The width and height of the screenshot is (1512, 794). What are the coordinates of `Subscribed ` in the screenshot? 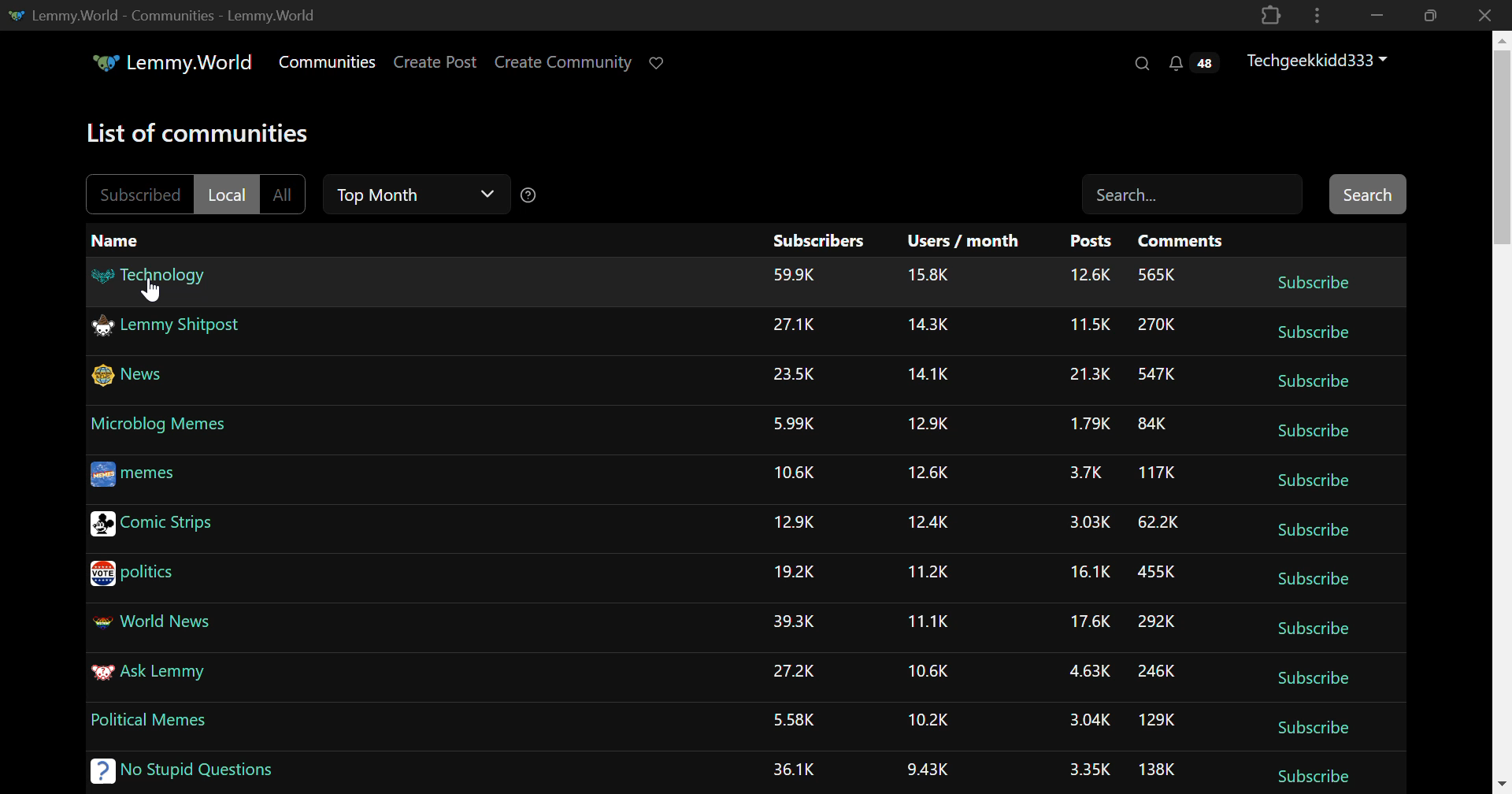 It's located at (137, 194).